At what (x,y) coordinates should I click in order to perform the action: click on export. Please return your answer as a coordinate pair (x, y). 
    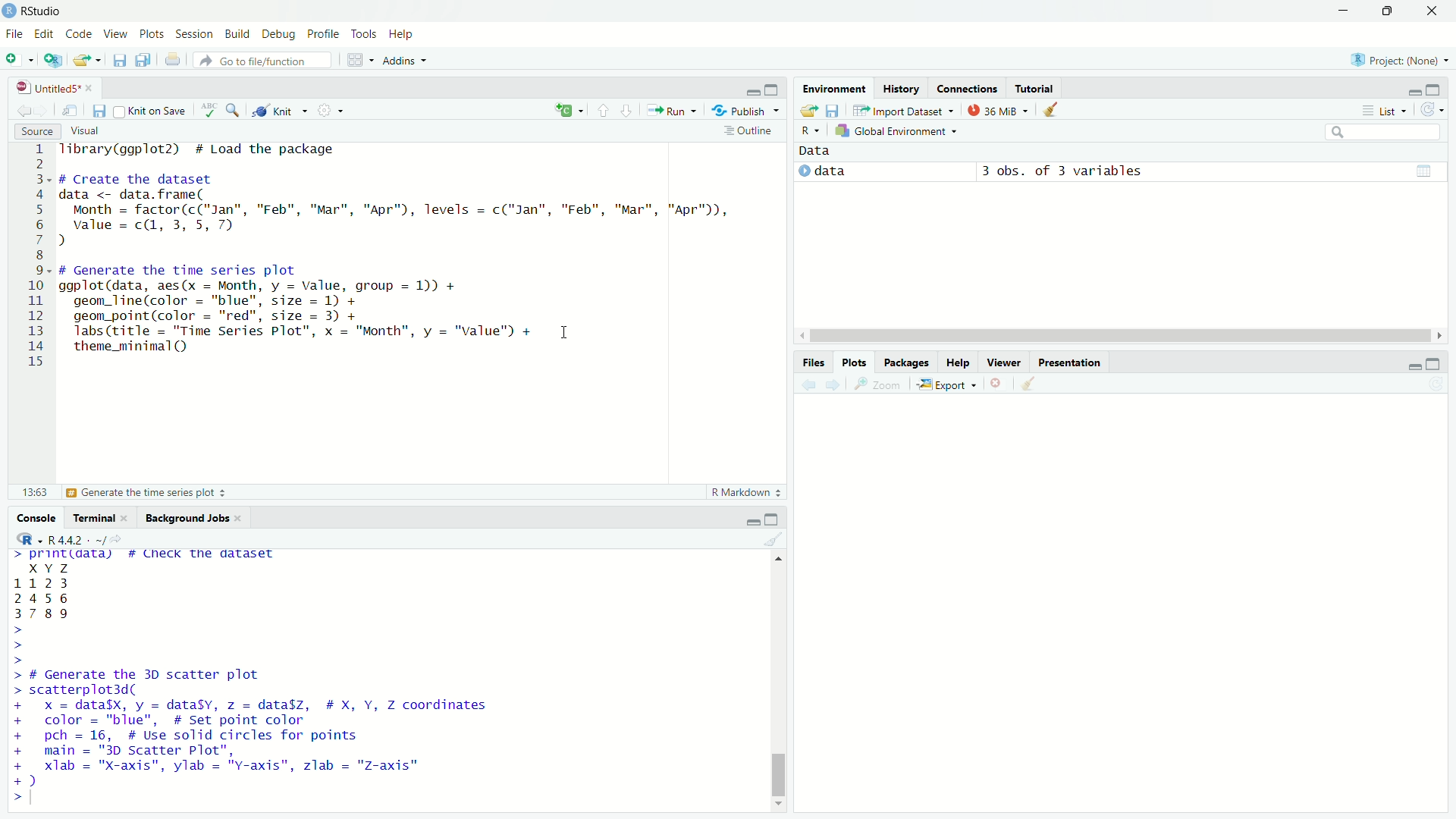
    Looking at the image, I should click on (944, 383).